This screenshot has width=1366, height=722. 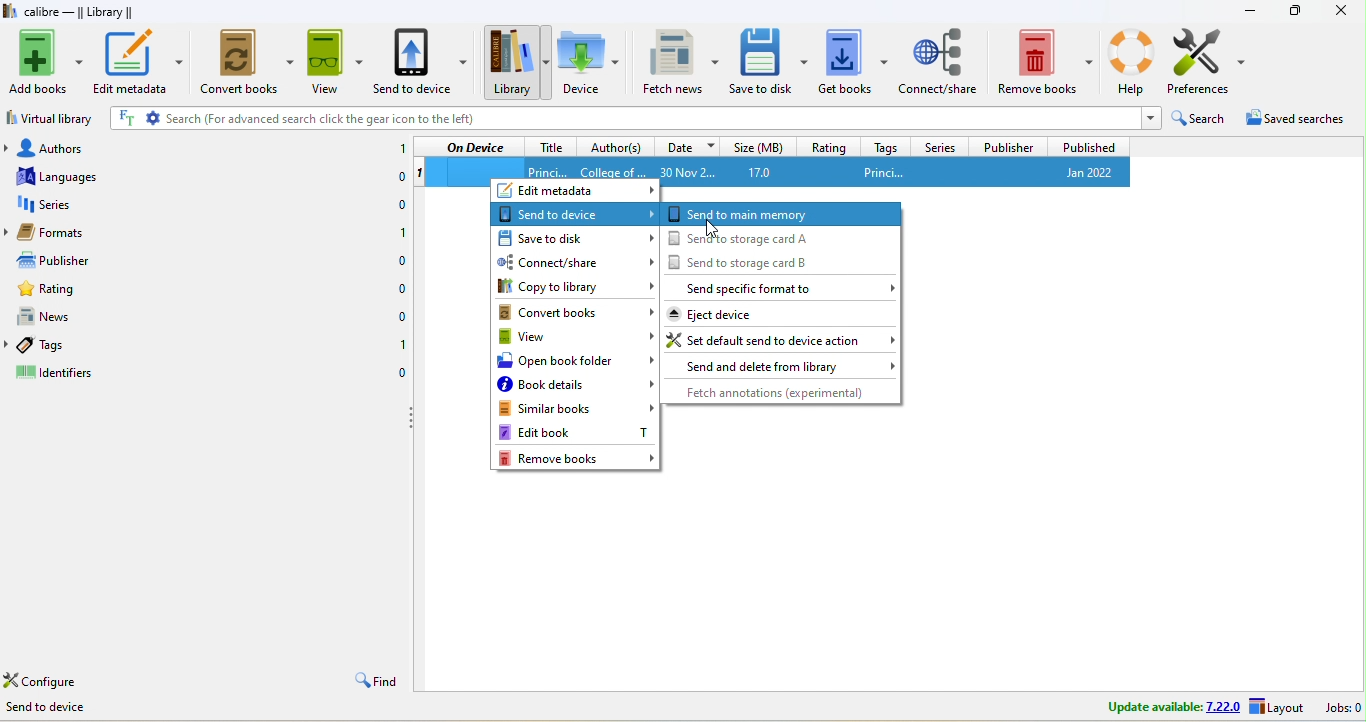 I want to click on 1, so click(x=398, y=232).